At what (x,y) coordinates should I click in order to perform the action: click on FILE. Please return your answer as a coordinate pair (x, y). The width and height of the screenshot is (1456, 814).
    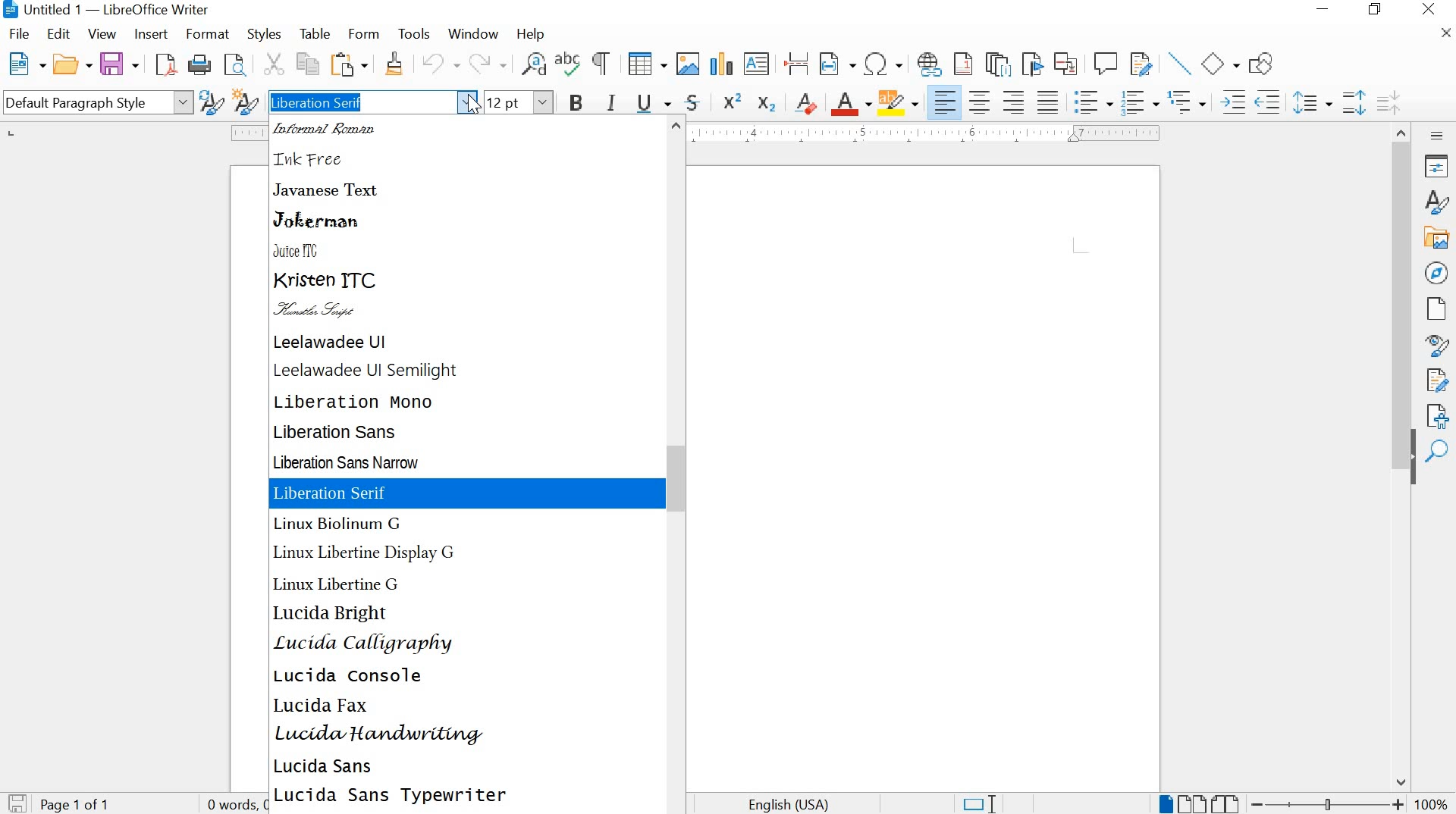
    Looking at the image, I should click on (21, 34).